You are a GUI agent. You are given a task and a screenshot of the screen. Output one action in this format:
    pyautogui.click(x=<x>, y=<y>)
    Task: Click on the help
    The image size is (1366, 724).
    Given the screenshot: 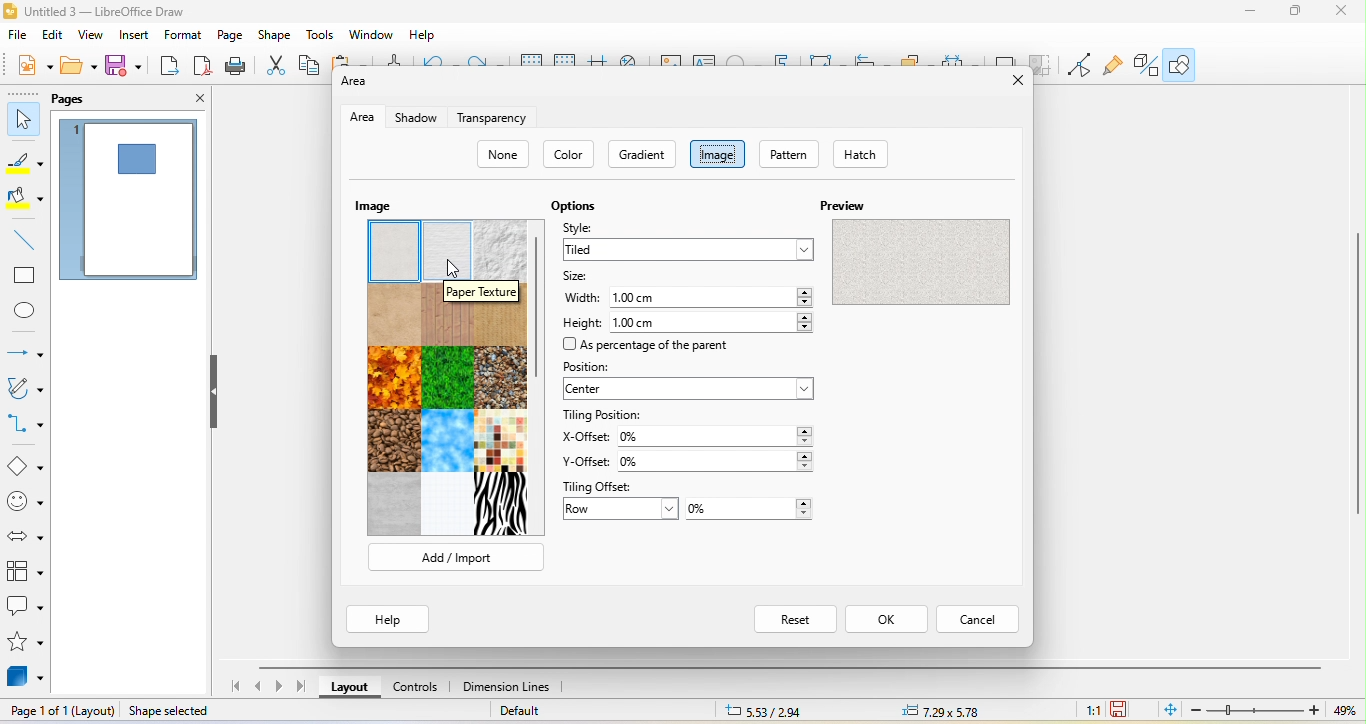 What is the action you would take?
    pyautogui.click(x=426, y=35)
    